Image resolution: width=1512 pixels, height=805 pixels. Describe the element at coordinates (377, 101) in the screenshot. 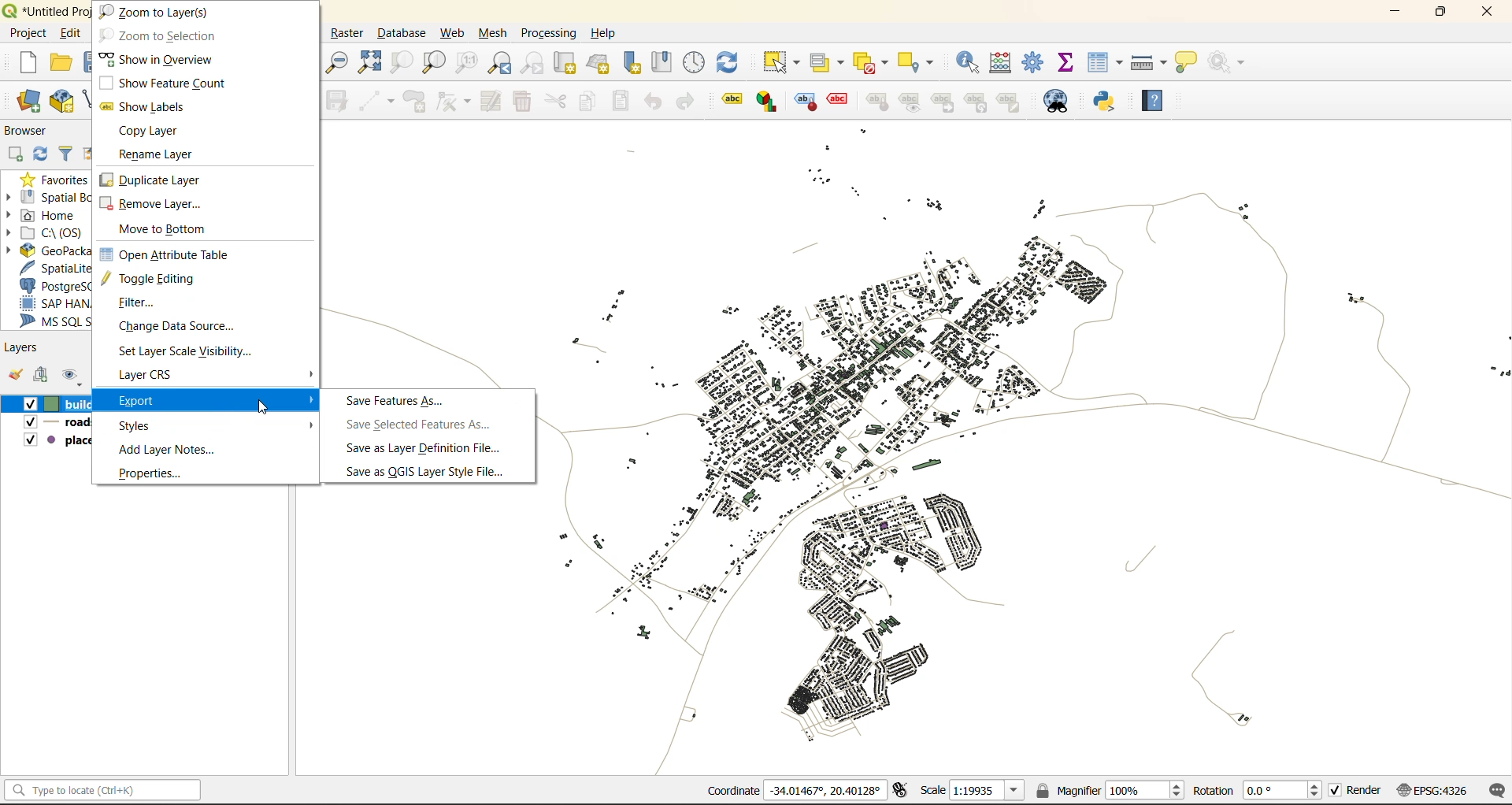

I see `digitize` at that location.